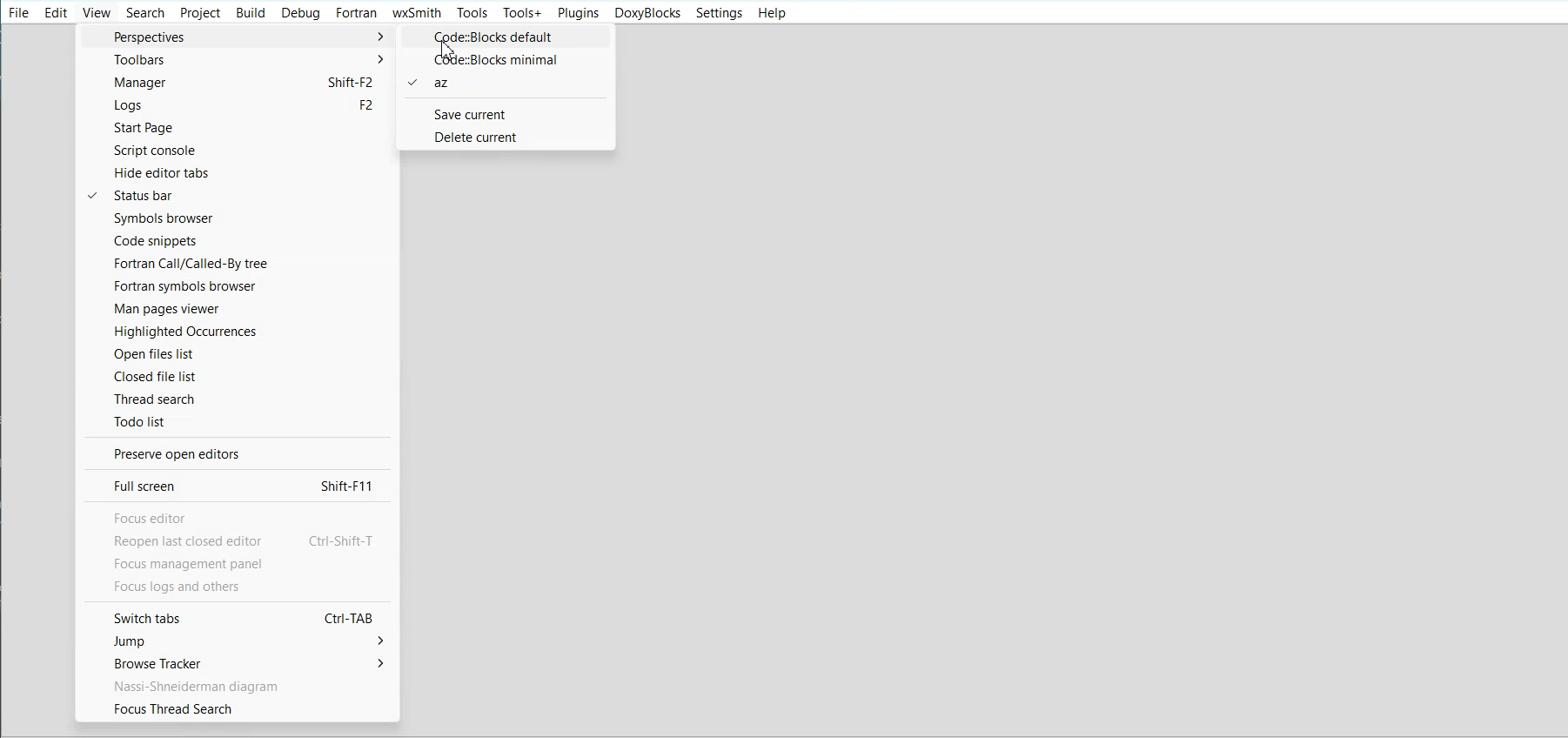  I want to click on Jump, so click(245, 641).